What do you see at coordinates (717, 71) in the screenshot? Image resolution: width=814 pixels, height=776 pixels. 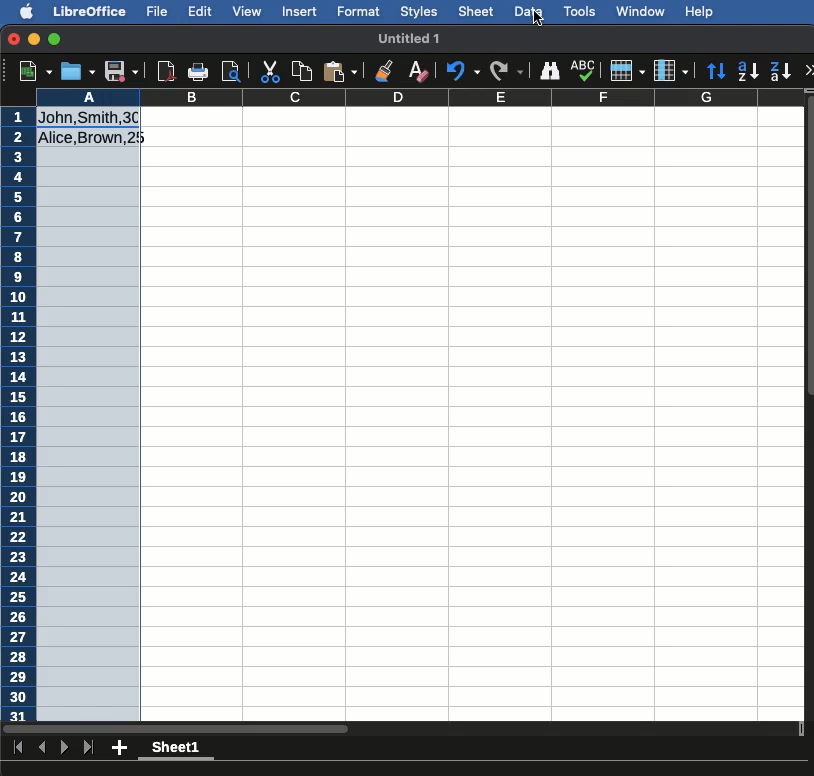 I see `Sort` at bounding box center [717, 71].